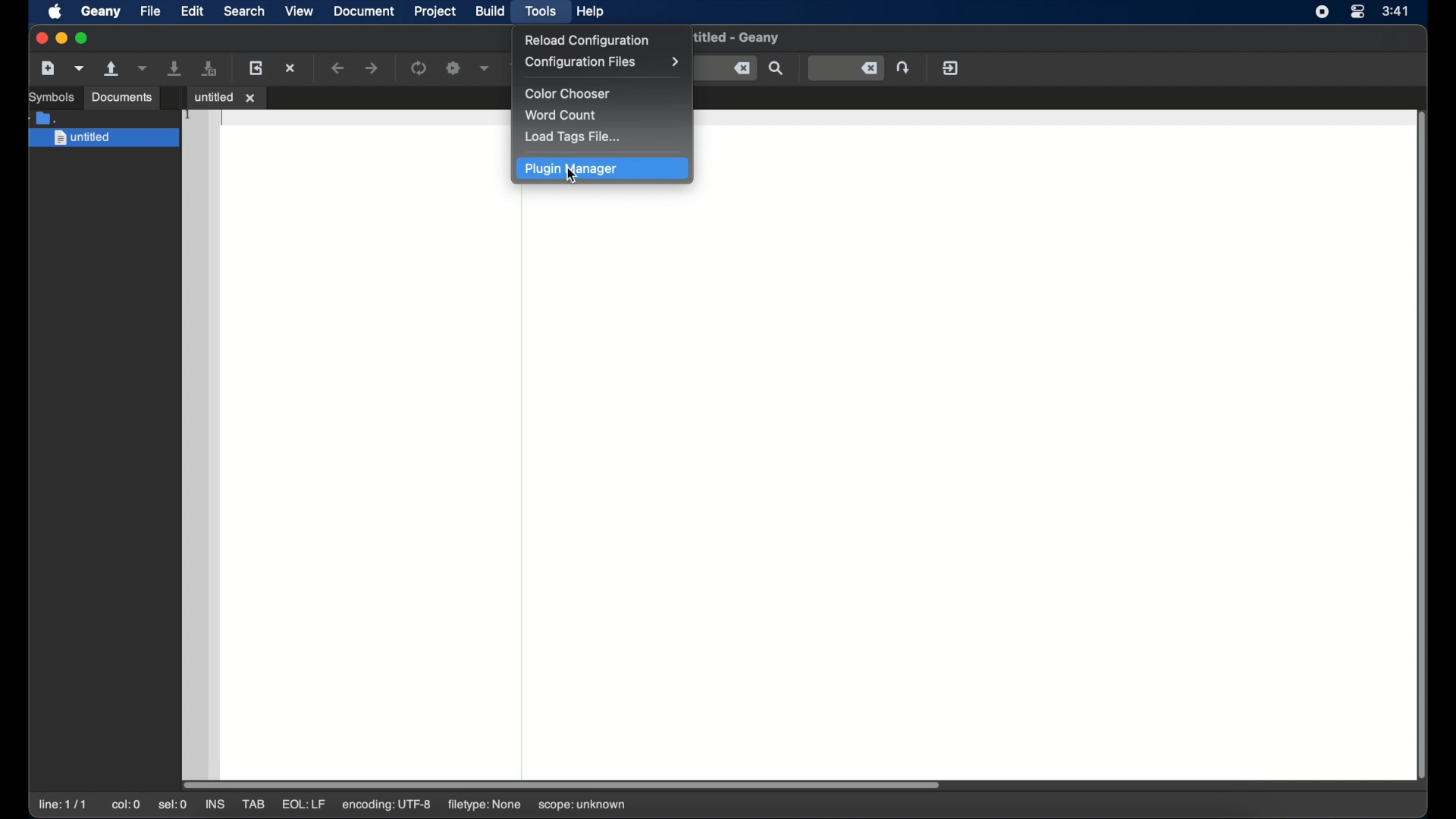 The image size is (1456, 819). Describe the element at coordinates (602, 169) in the screenshot. I see `plugin manager` at that location.